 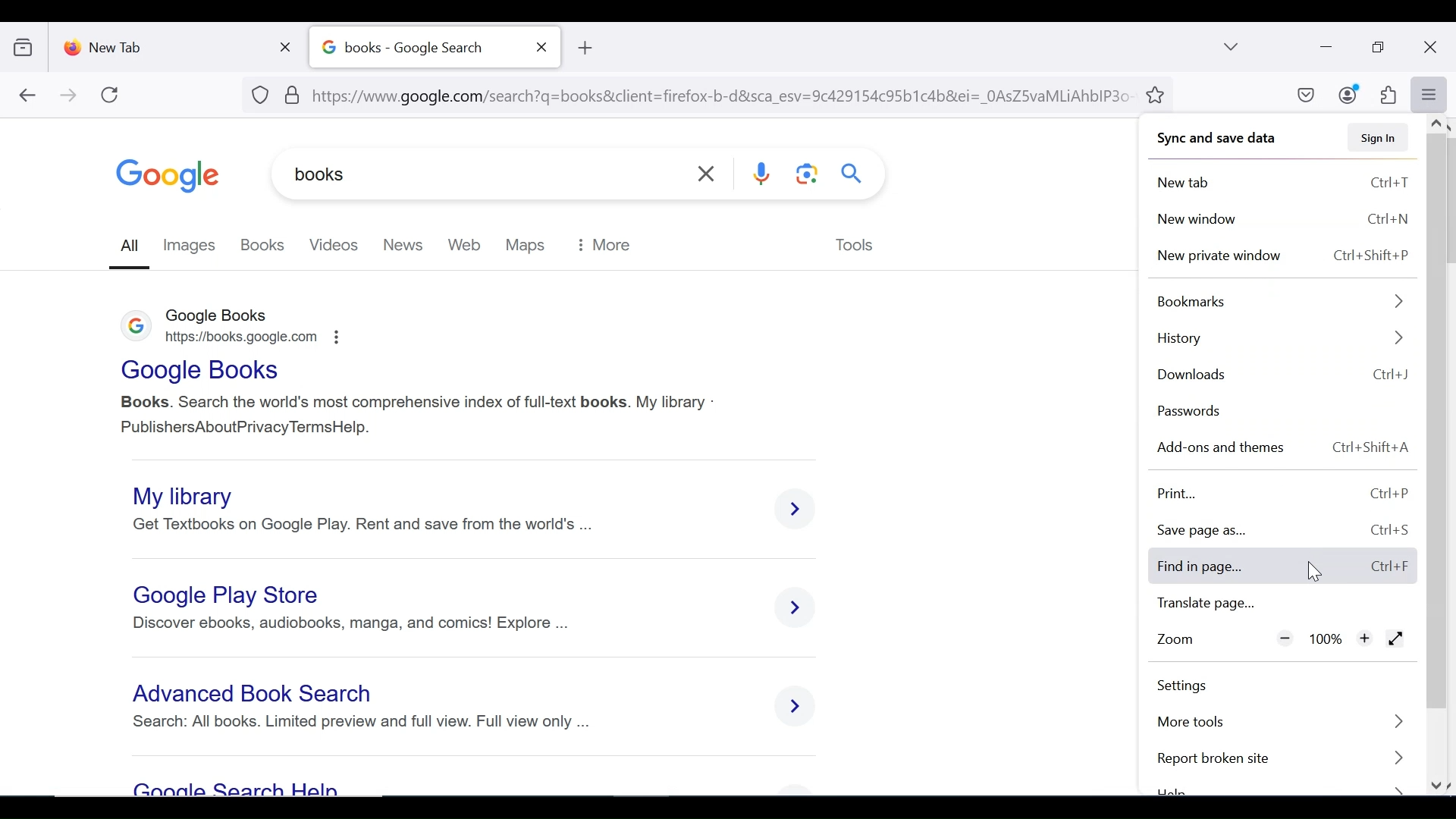 What do you see at coordinates (163, 44) in the screenshot?
I see `new tab` at bounding box center [163, 44].